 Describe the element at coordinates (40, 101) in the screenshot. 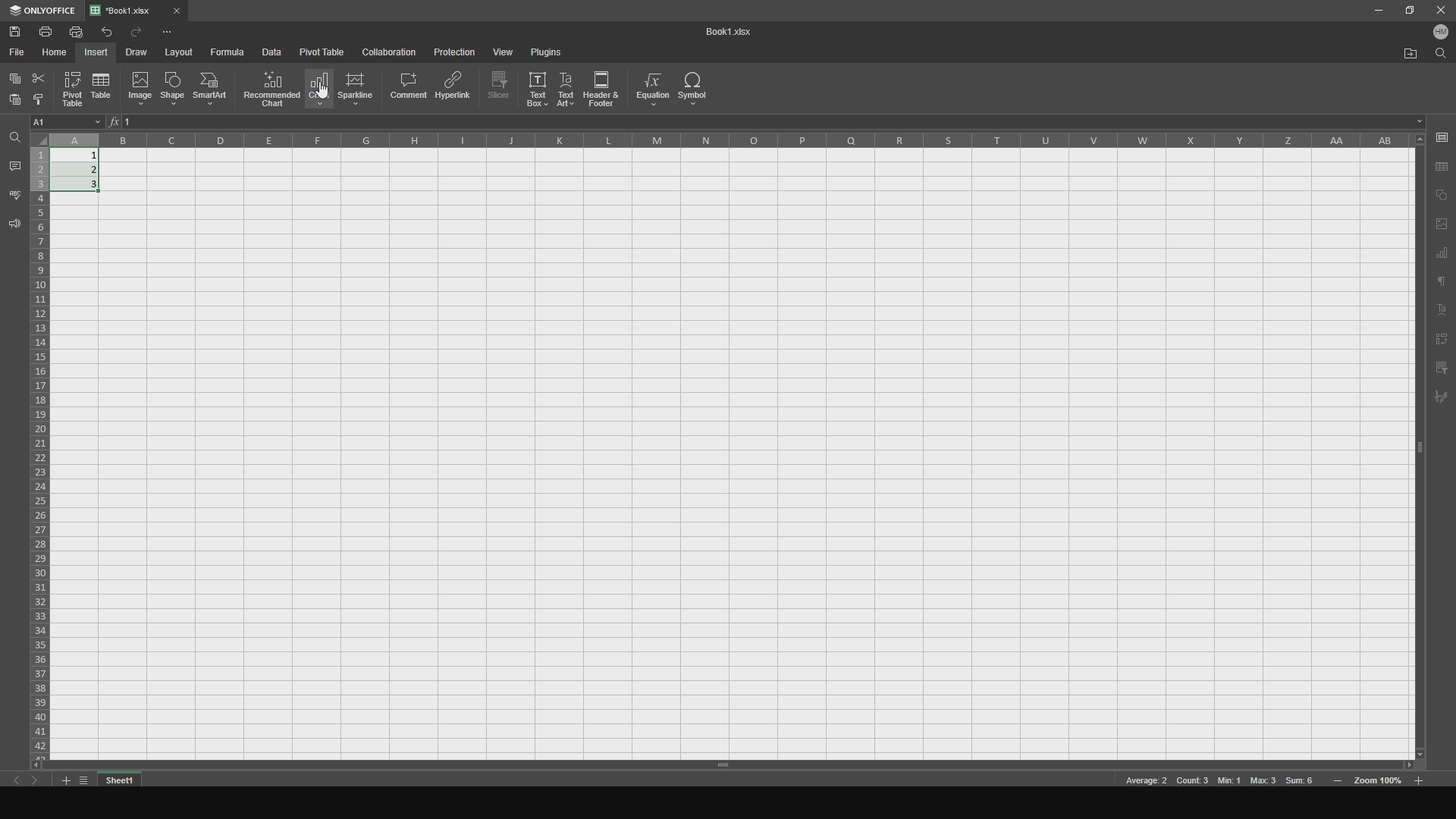

I see `bold` at that location.